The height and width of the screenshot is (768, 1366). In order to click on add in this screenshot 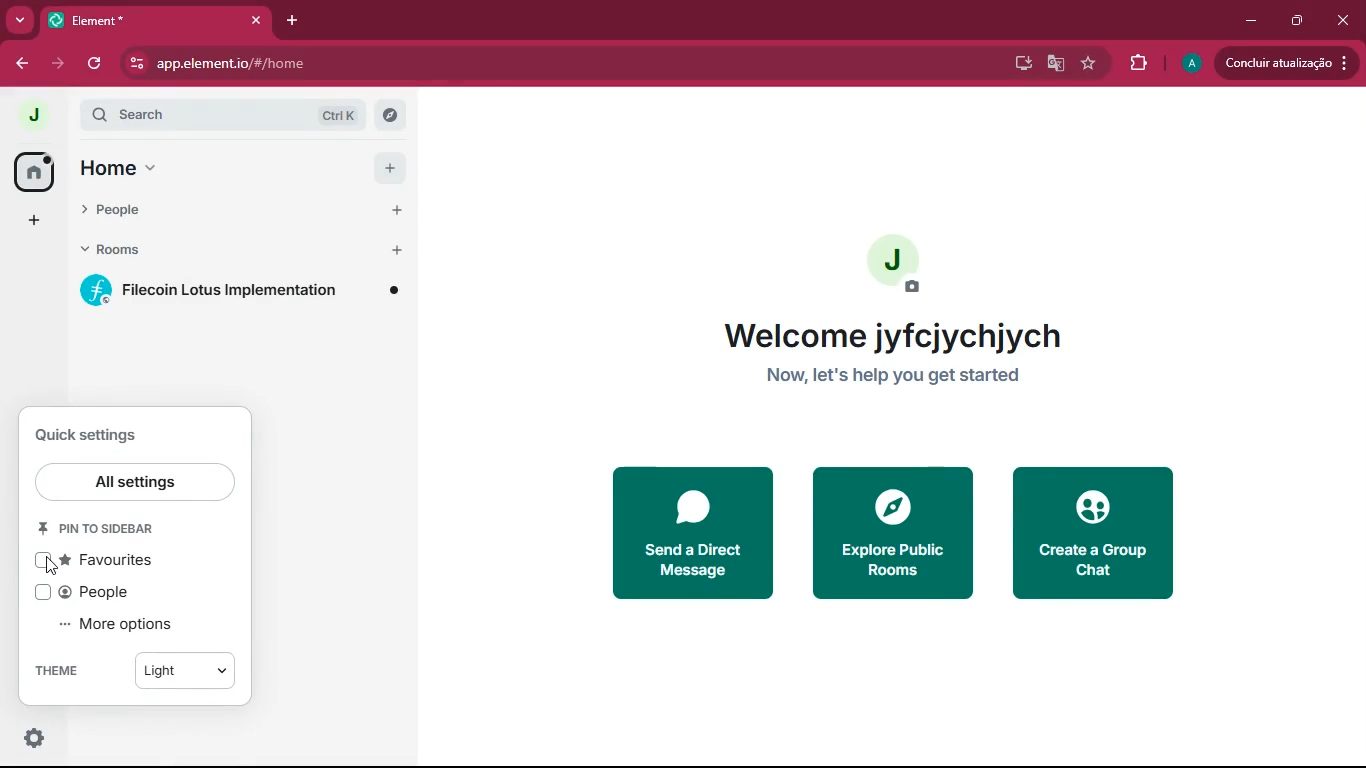, I will do `click(390, 167)`.